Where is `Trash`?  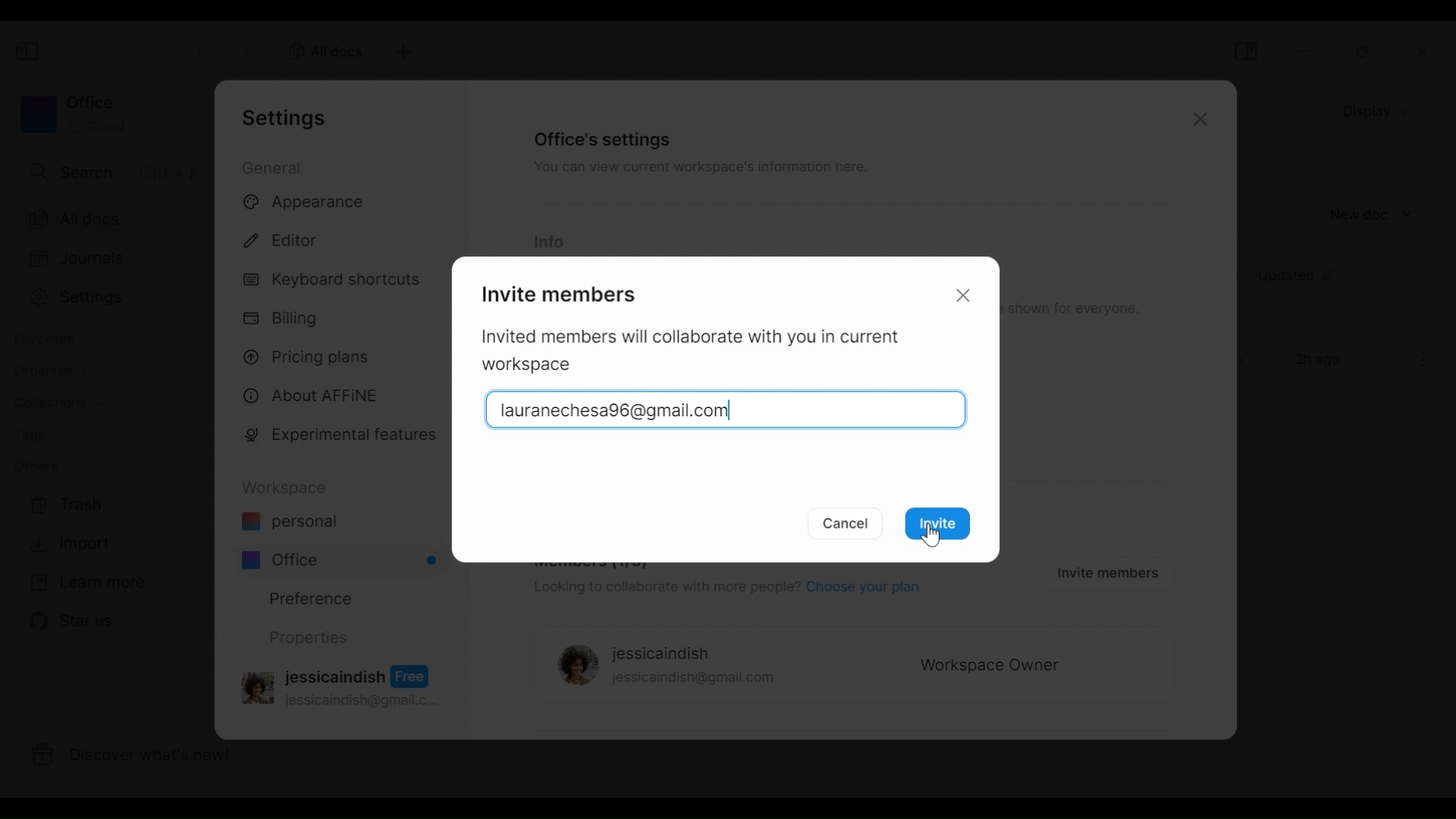 Trash is located at coordinates (67, 505).